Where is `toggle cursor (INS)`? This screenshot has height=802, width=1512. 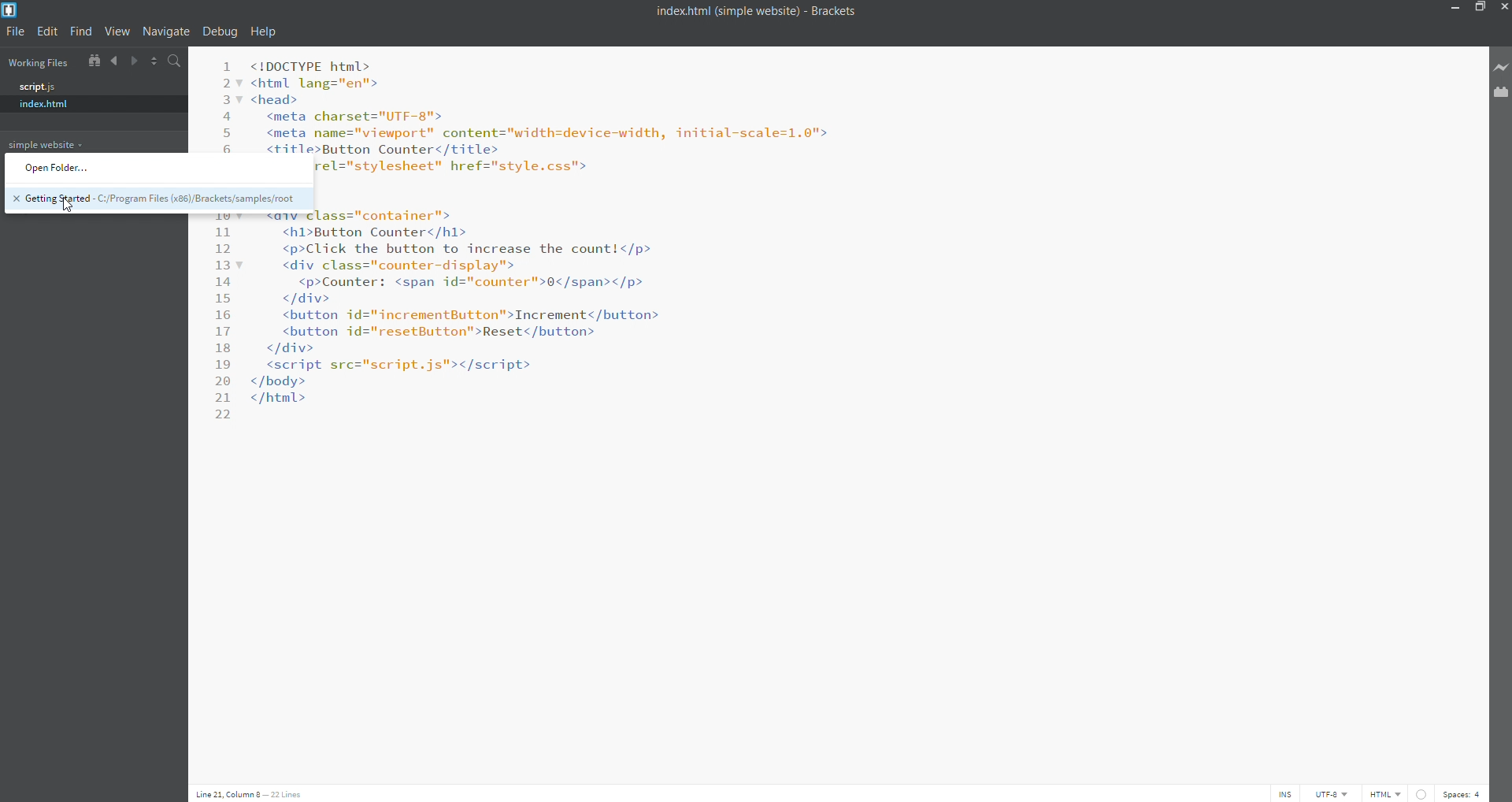 toggle cursor (INS) is located at coordinates (1285, 793).